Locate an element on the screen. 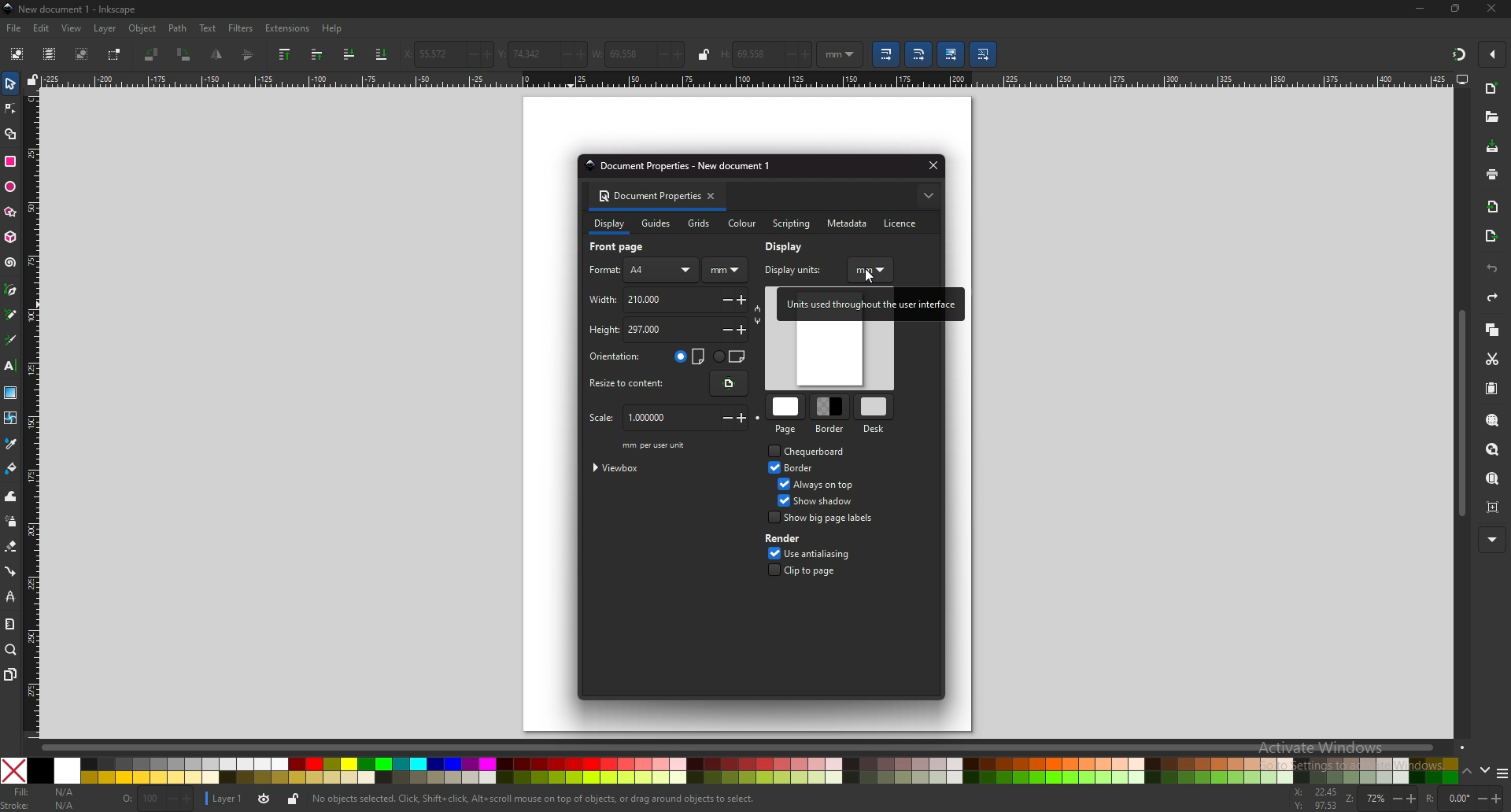 The image size is (1511, 812). display units is located at coordinates (801, 268).